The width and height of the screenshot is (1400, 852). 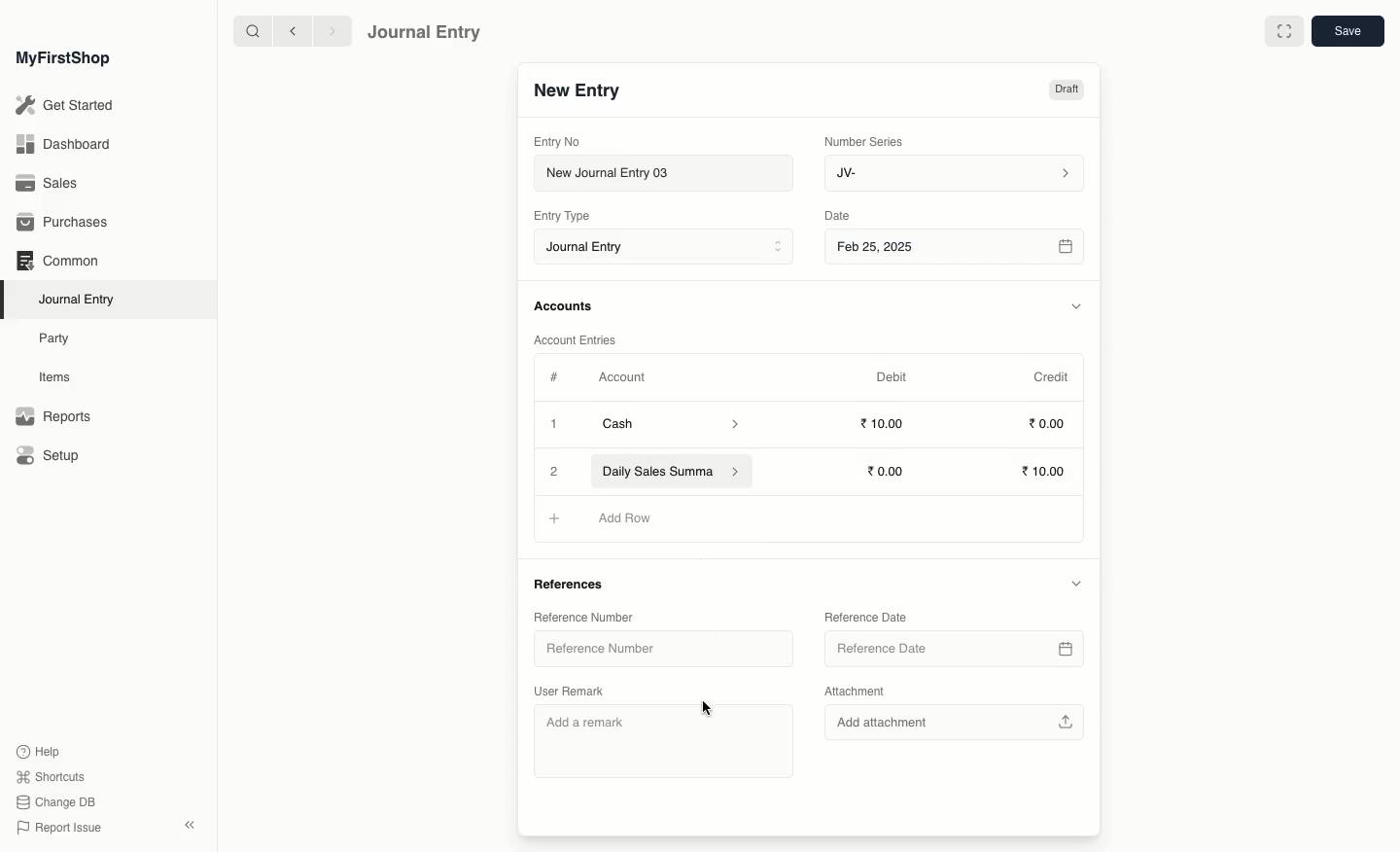 I want to click on backward <, so click(x=288, y=31).